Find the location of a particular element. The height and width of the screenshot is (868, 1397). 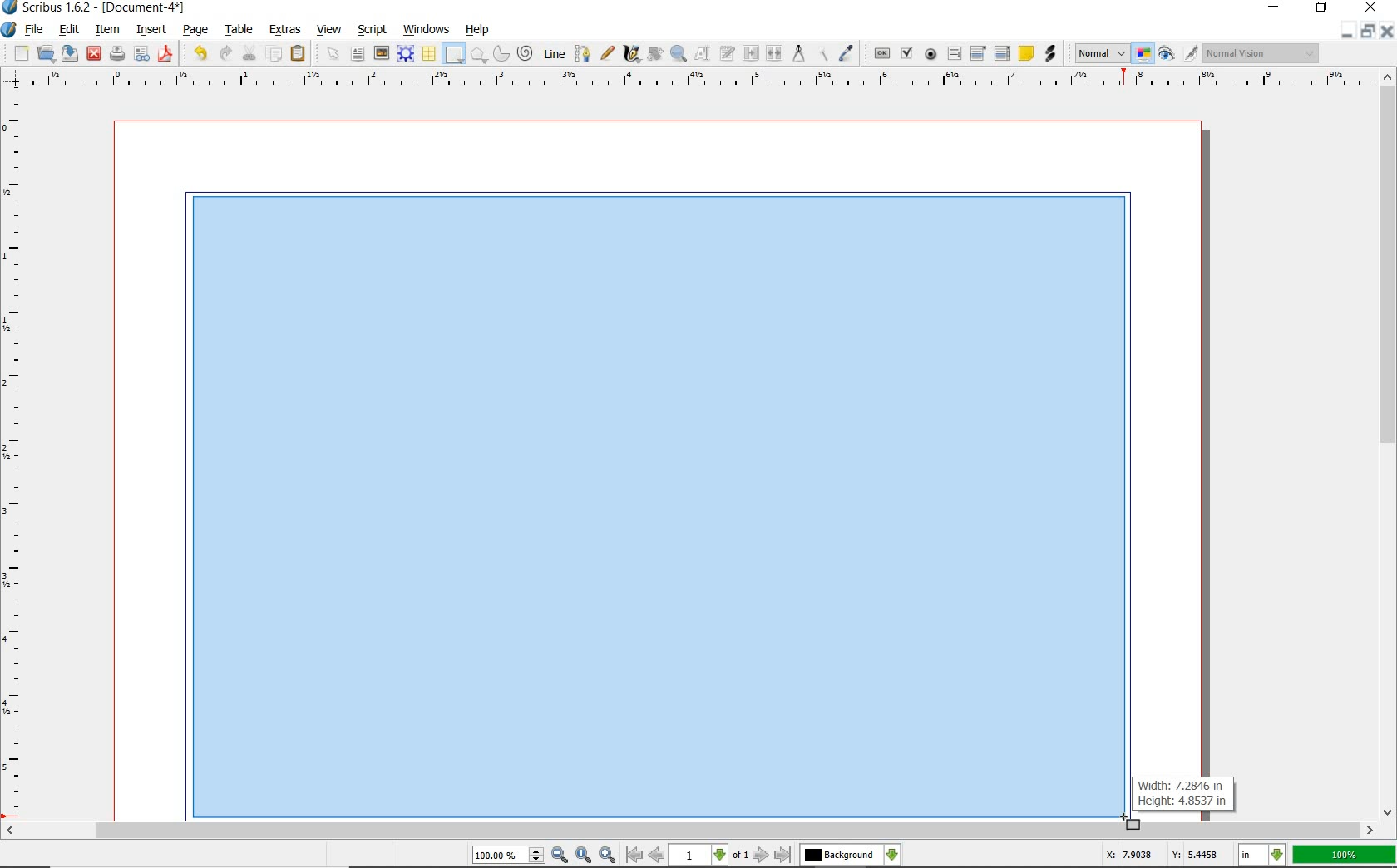

ruler is located at coordinates (701, 79).